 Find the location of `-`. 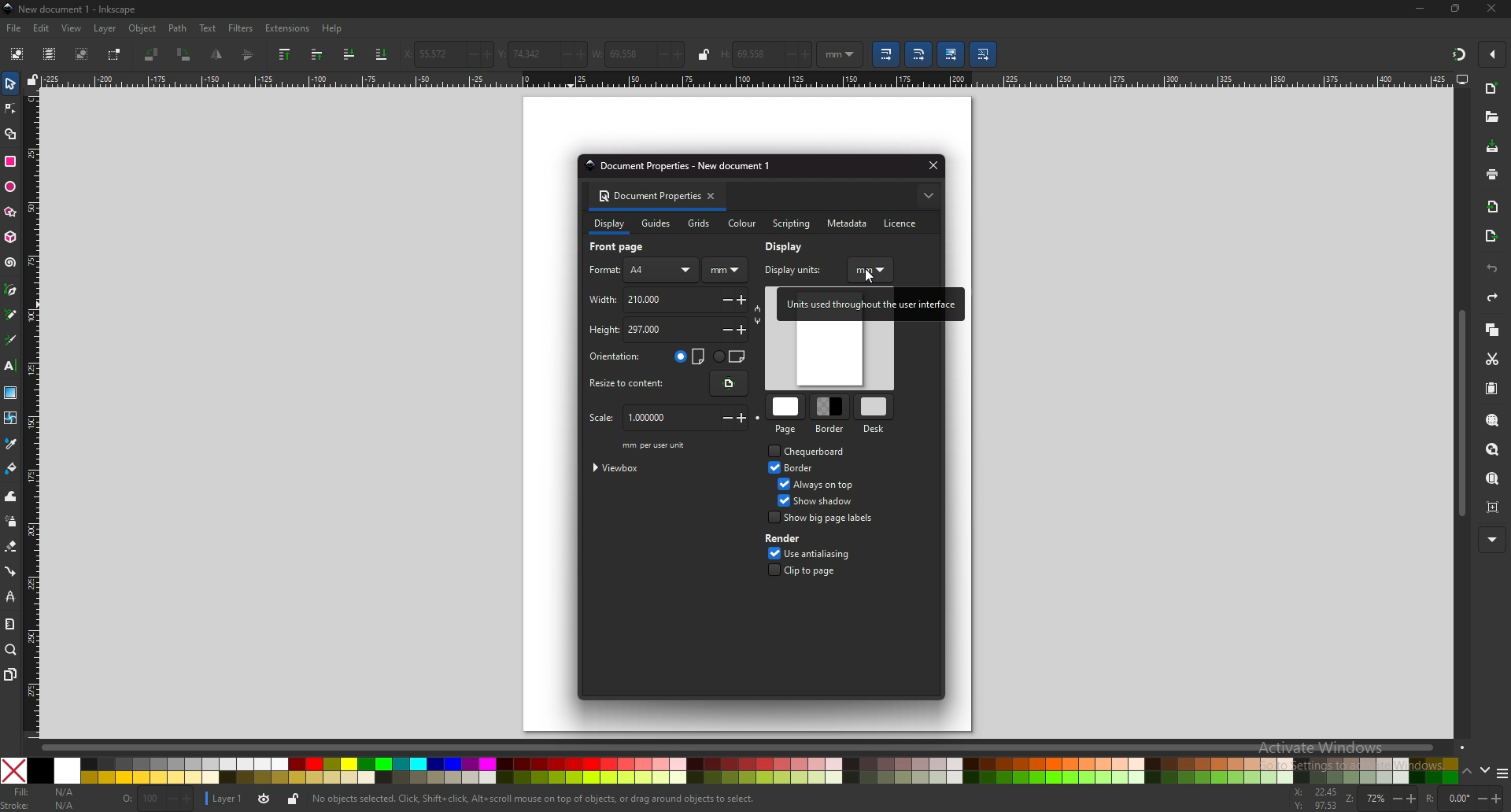

- is located at coordinates (557, 54).